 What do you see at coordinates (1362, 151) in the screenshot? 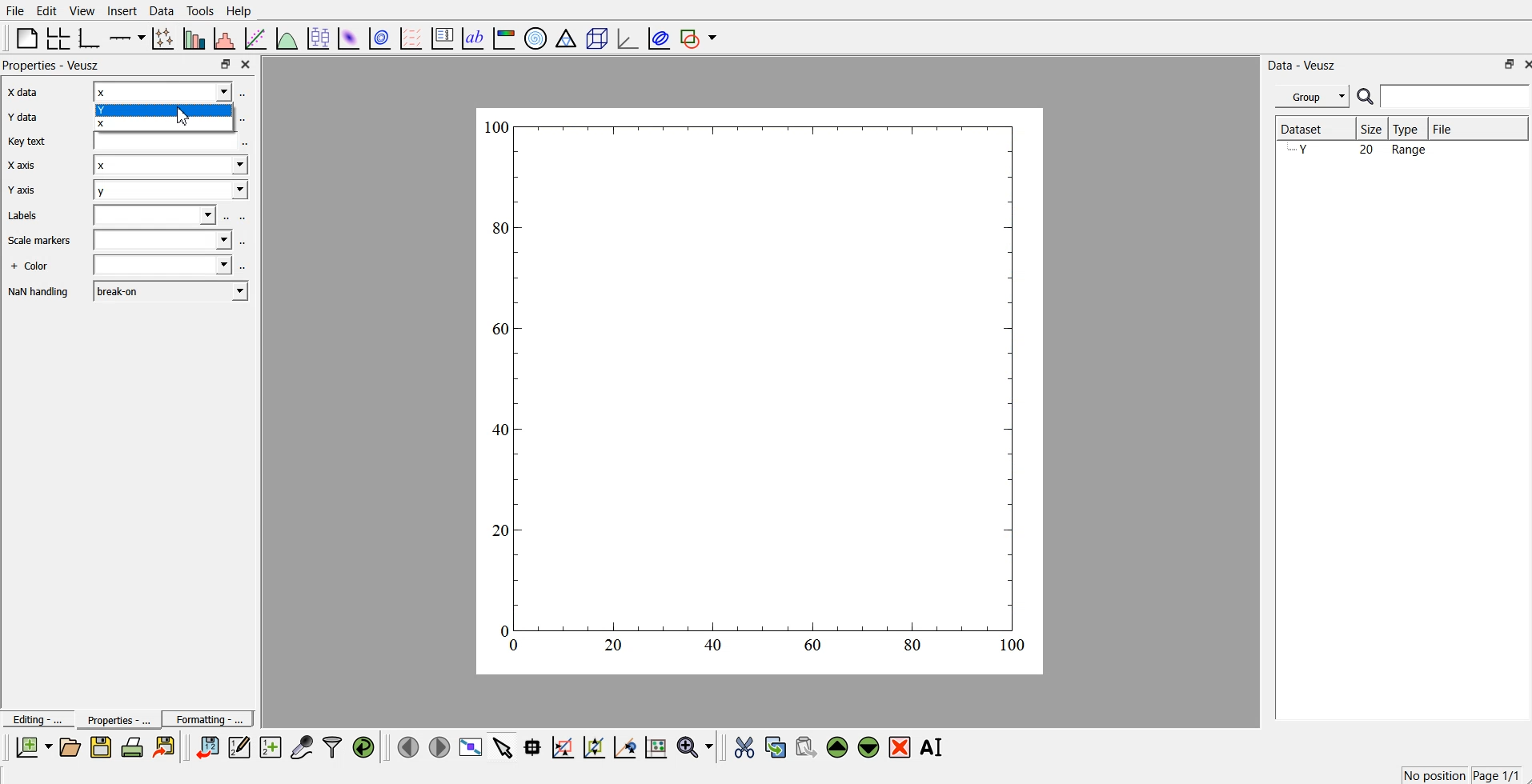
I see `y 20 range` at bounding box center [1362, 151].